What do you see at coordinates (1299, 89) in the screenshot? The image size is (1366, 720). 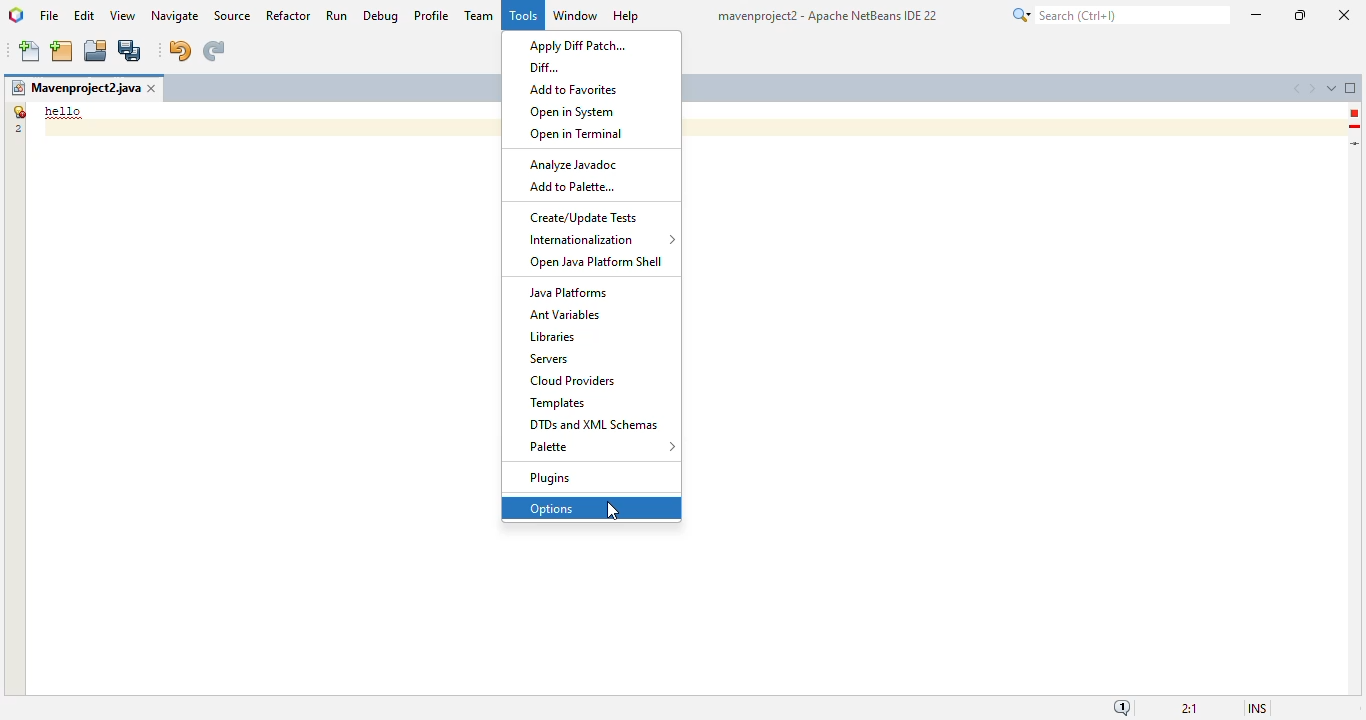 I see `scroll documents left` at bounding box center [1299, 89].